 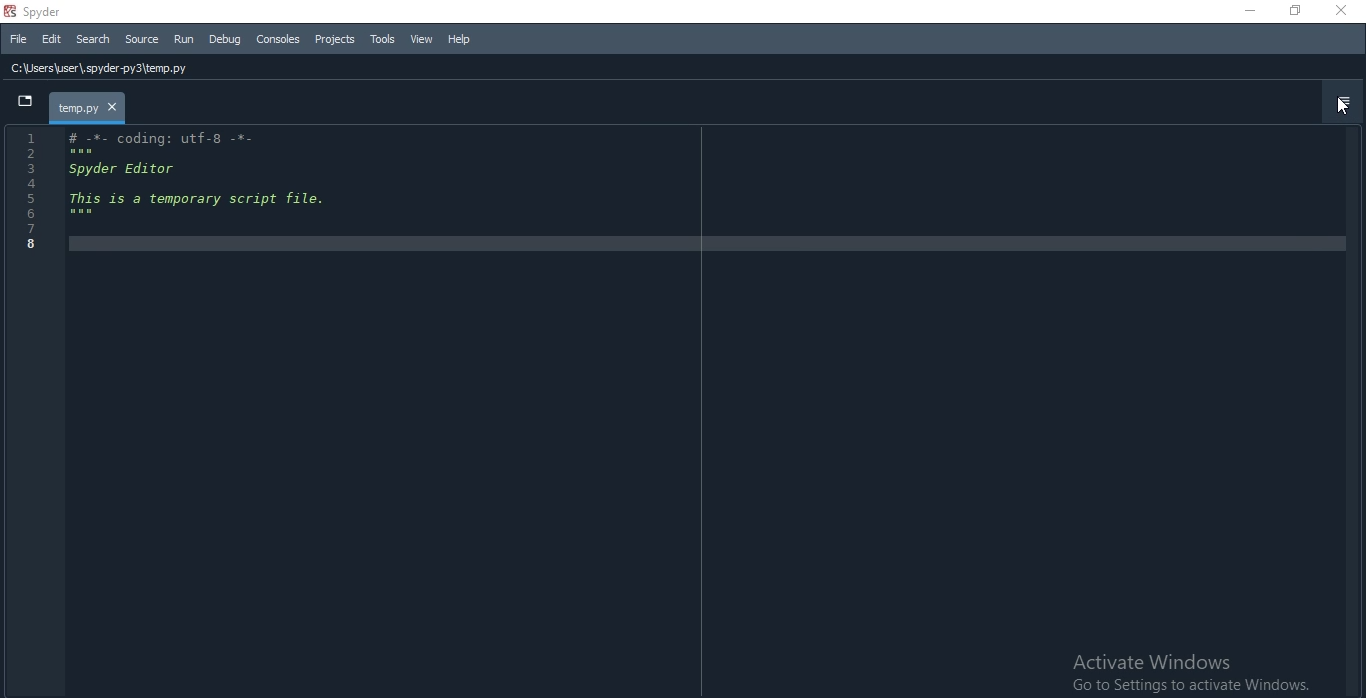 I want to click on tab, so click(x=89, y=109).